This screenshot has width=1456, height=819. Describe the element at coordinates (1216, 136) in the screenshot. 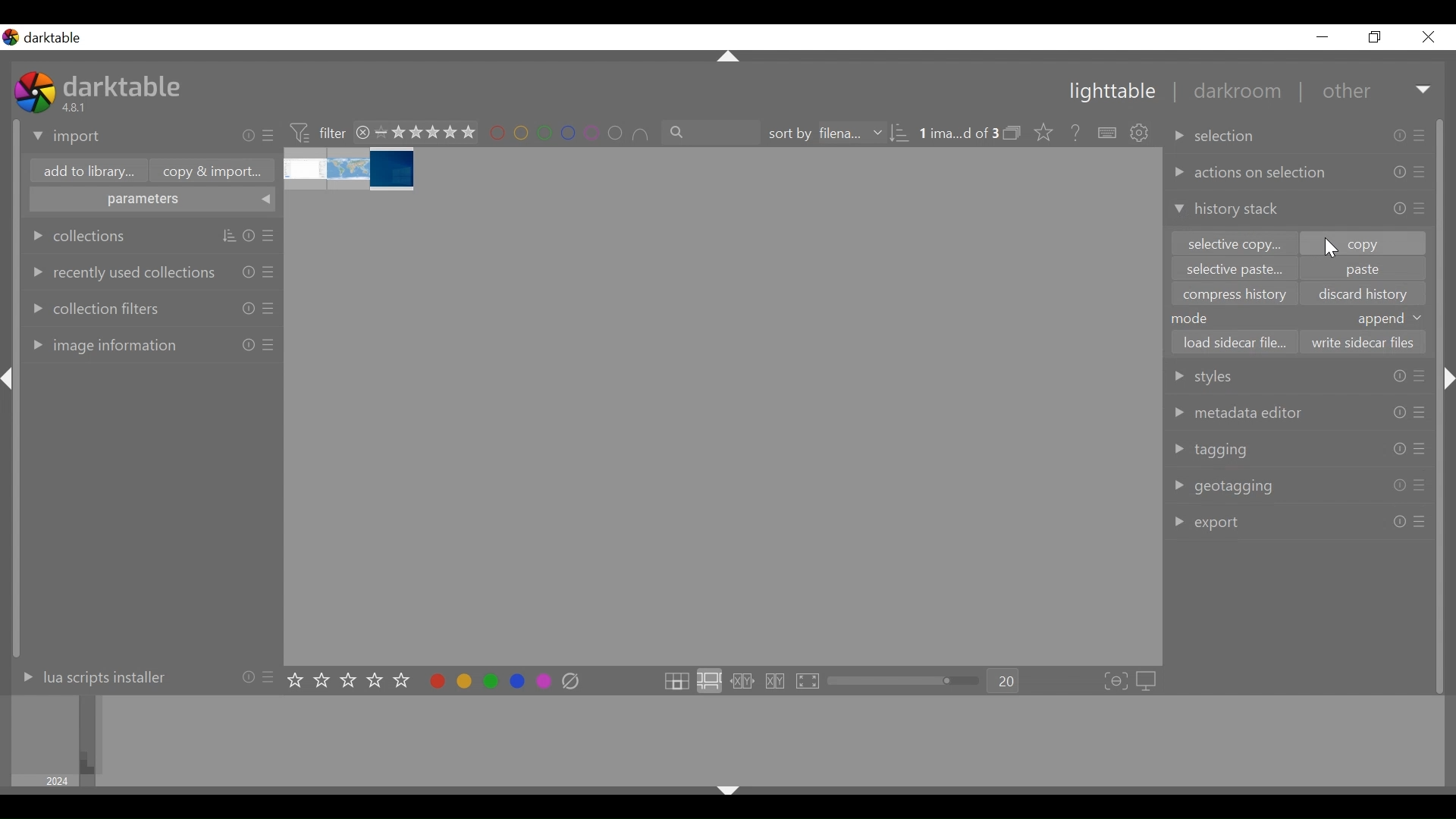

I see `selection` at that location.